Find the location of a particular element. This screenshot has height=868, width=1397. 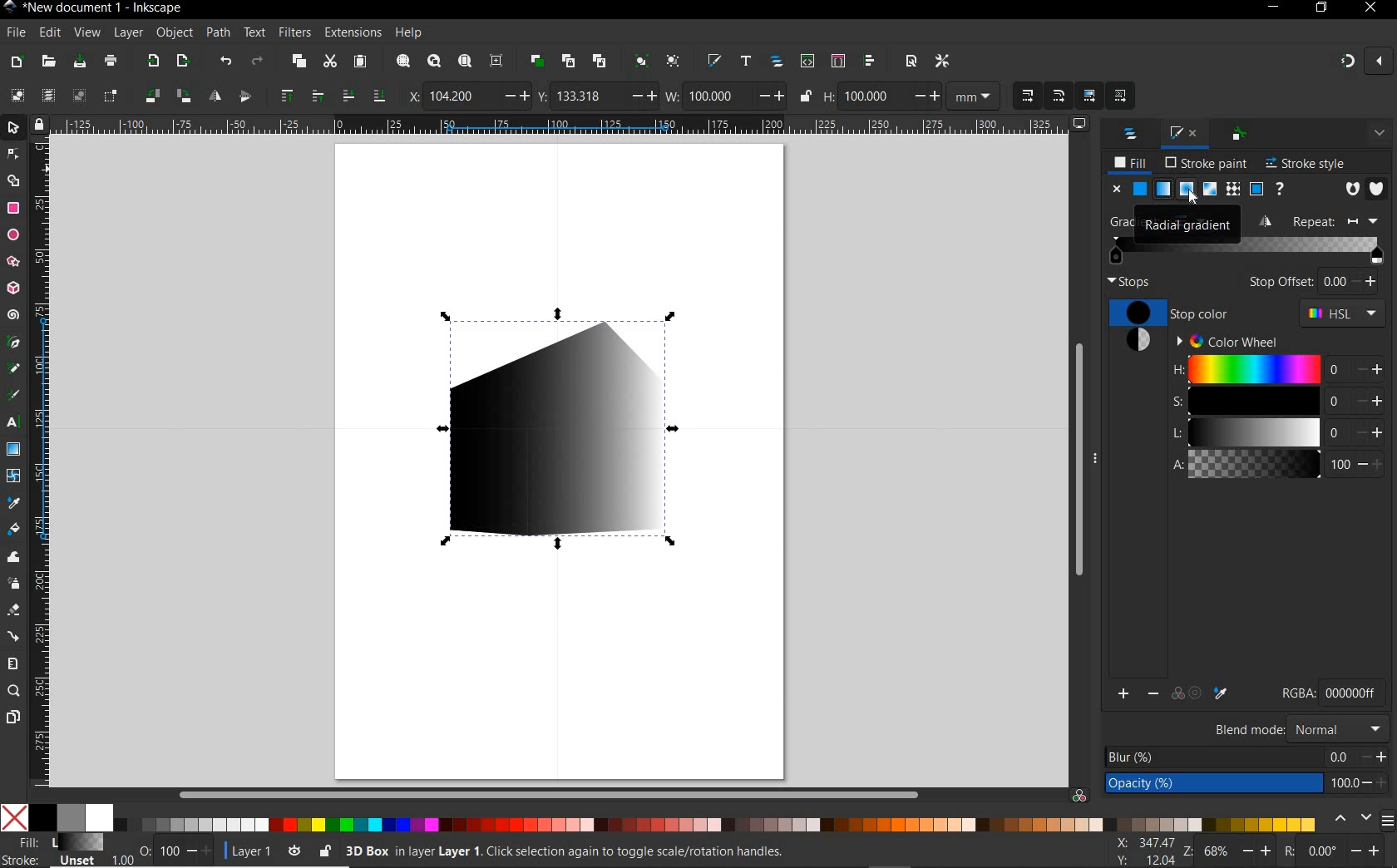

ZOOM is located at coordinates (1186, 851).